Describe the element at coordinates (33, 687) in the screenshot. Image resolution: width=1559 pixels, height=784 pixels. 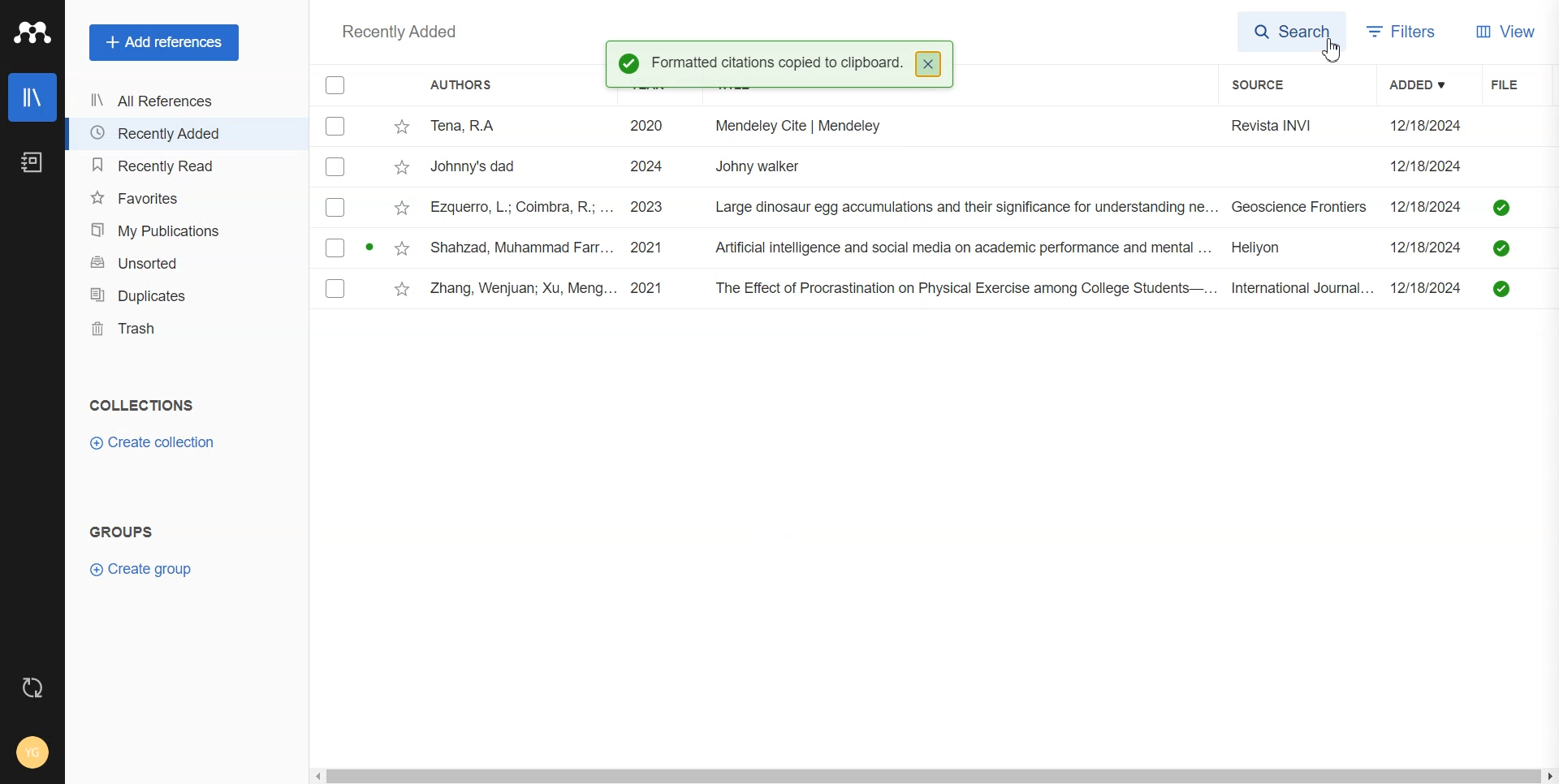
I see `Auto sync` at that location.